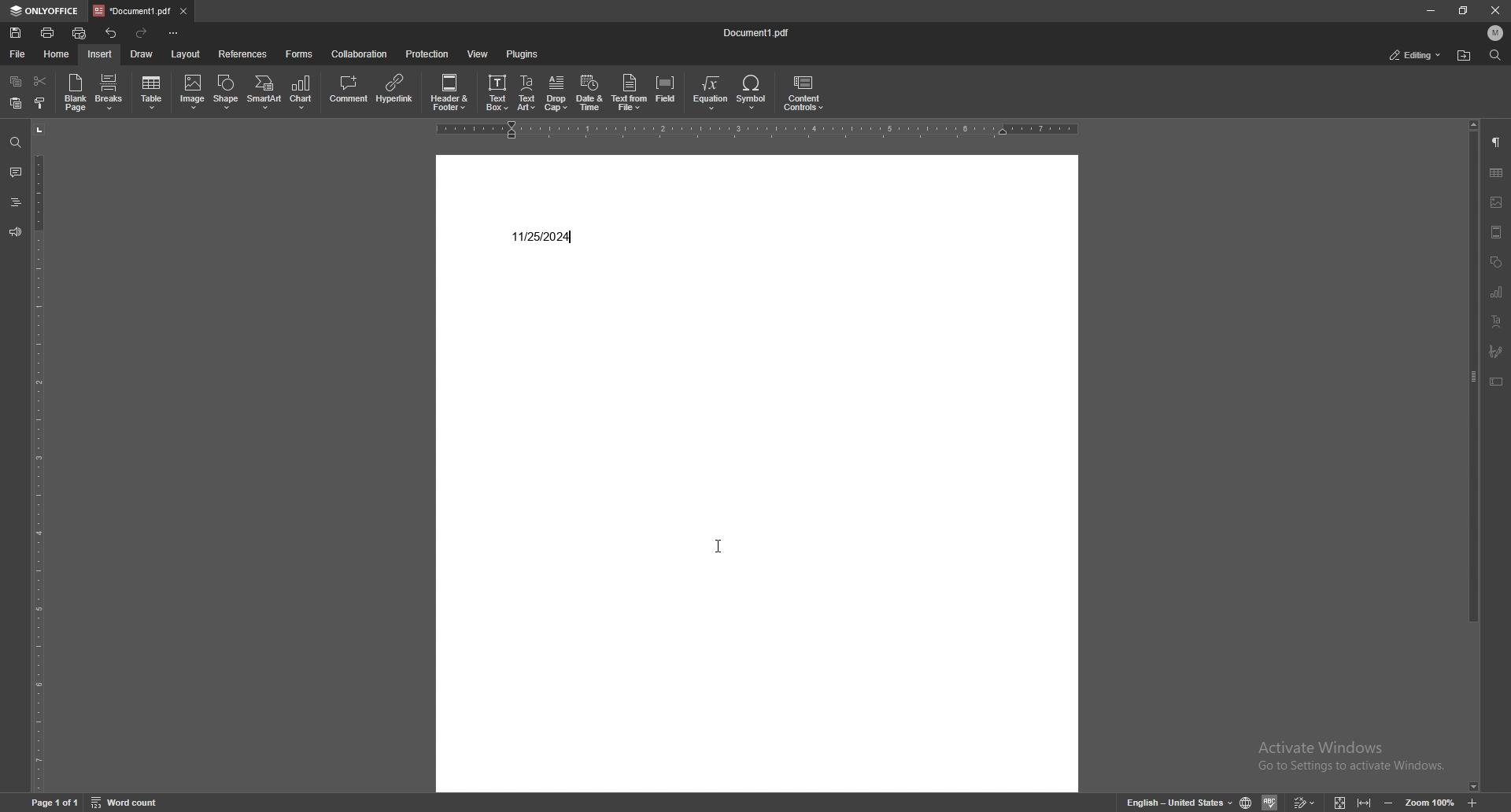  I want to click on image, so click(190, 92).